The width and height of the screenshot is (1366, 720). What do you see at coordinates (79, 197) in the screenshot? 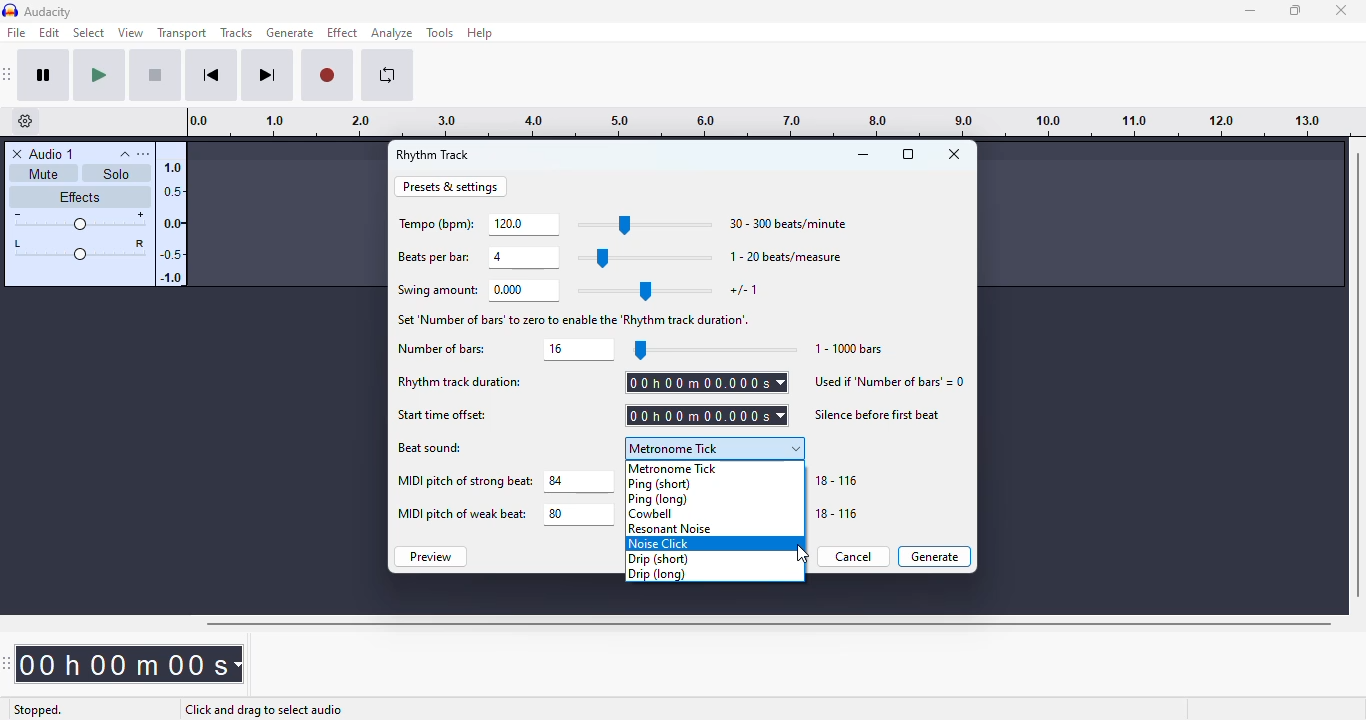
I see `effects` at bounding box center [79, 197].